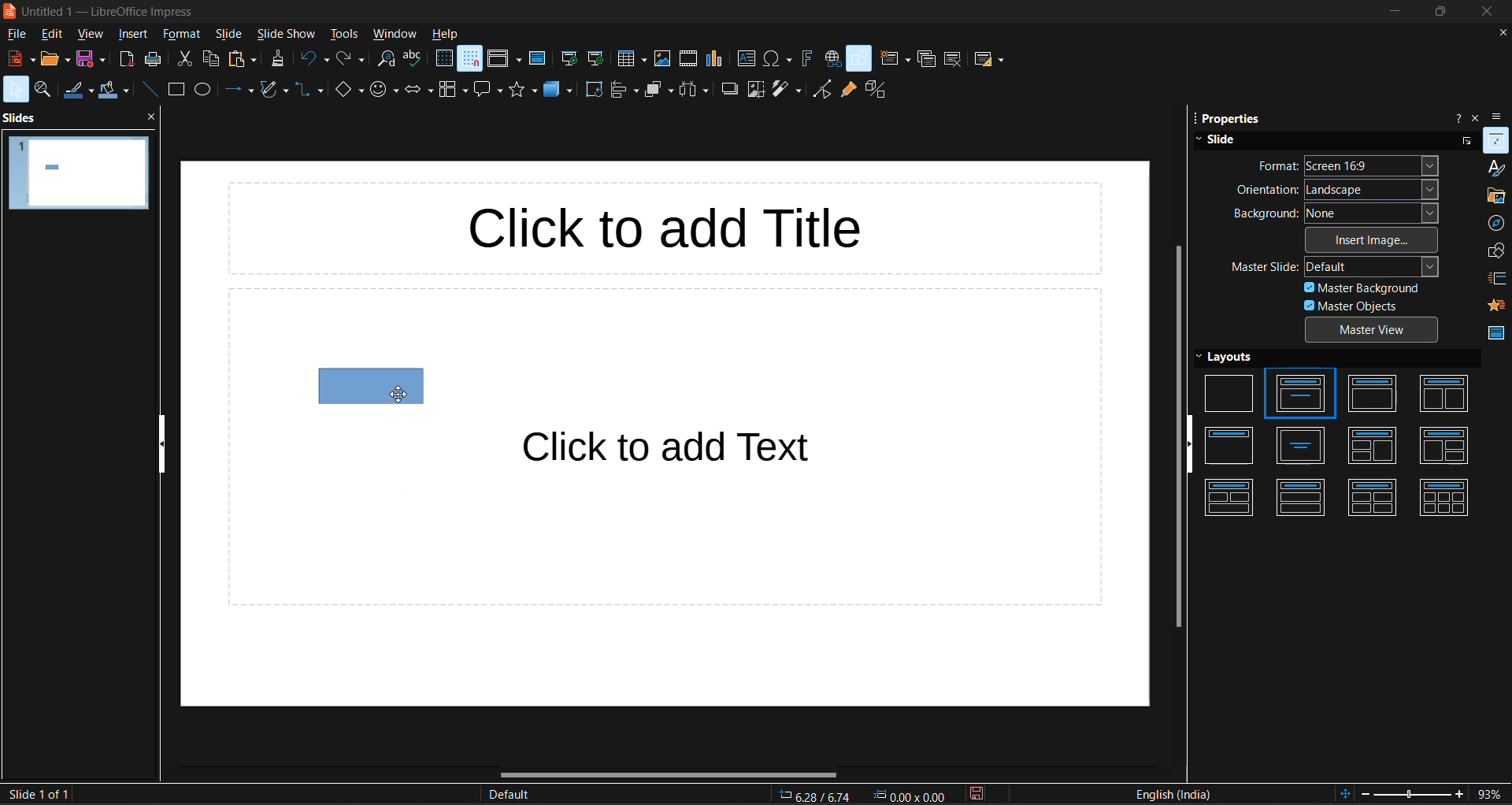 The width and height of the screenshot is (1512, 805). Describe the element at coordinates (489, 92) in the screenshot. I see `callout shapes` at that location.